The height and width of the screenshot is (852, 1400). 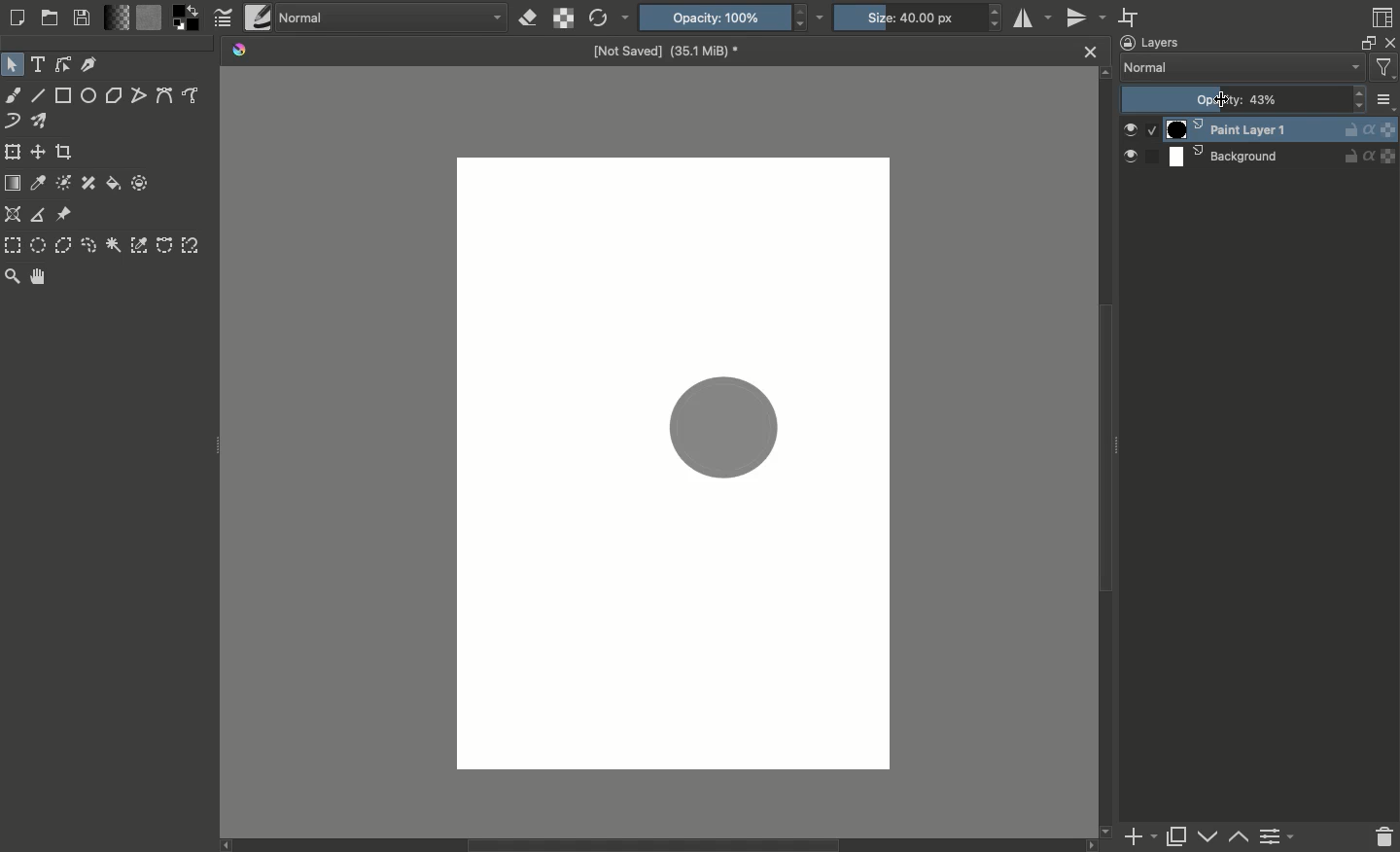 What do you see at coordinates (662, 49) in the screenshot?
I see `Name` at bounding box center [662, 49].